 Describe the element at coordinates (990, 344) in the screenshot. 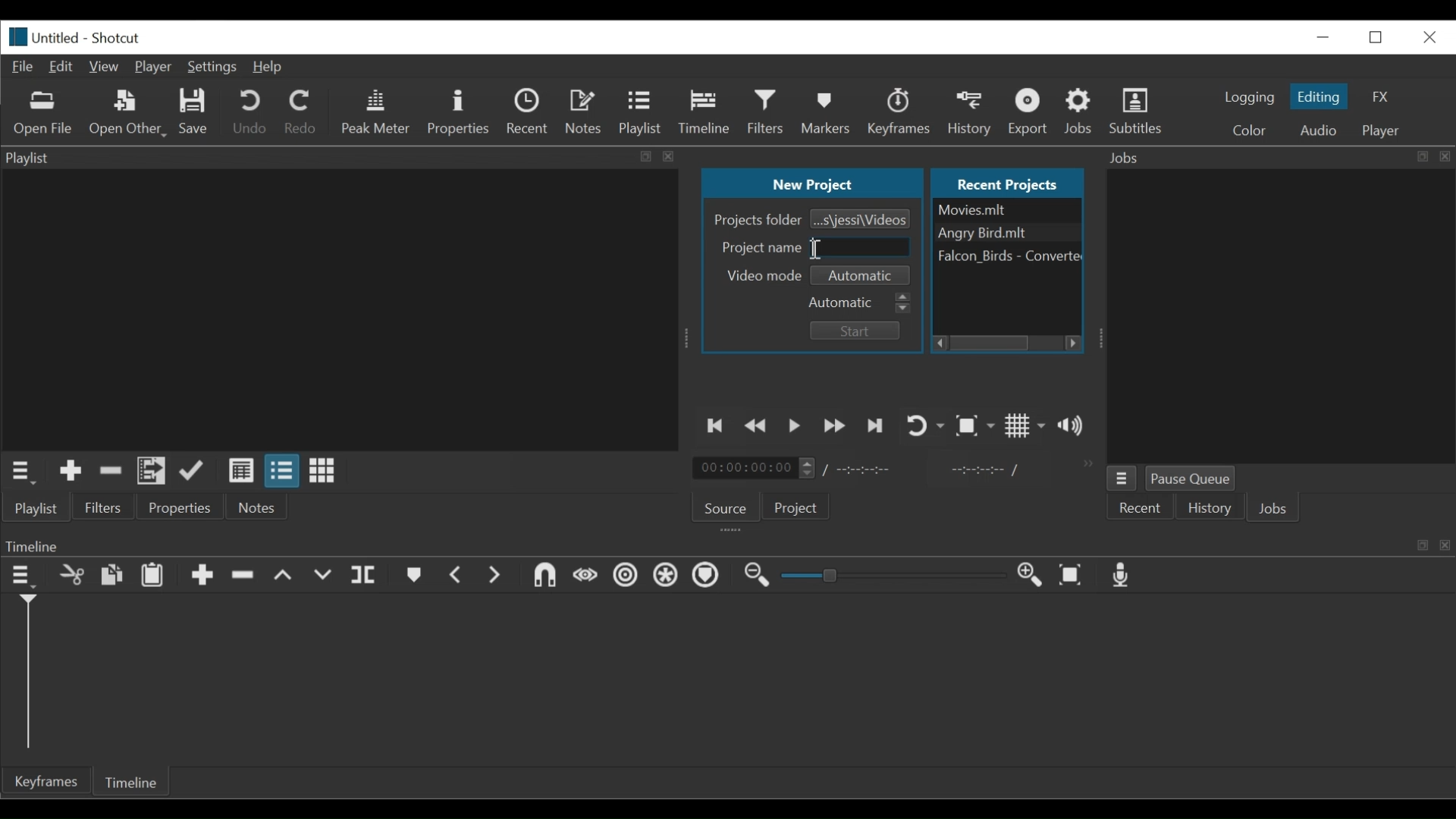

I see `Horizontal Scroll bar` at that location.